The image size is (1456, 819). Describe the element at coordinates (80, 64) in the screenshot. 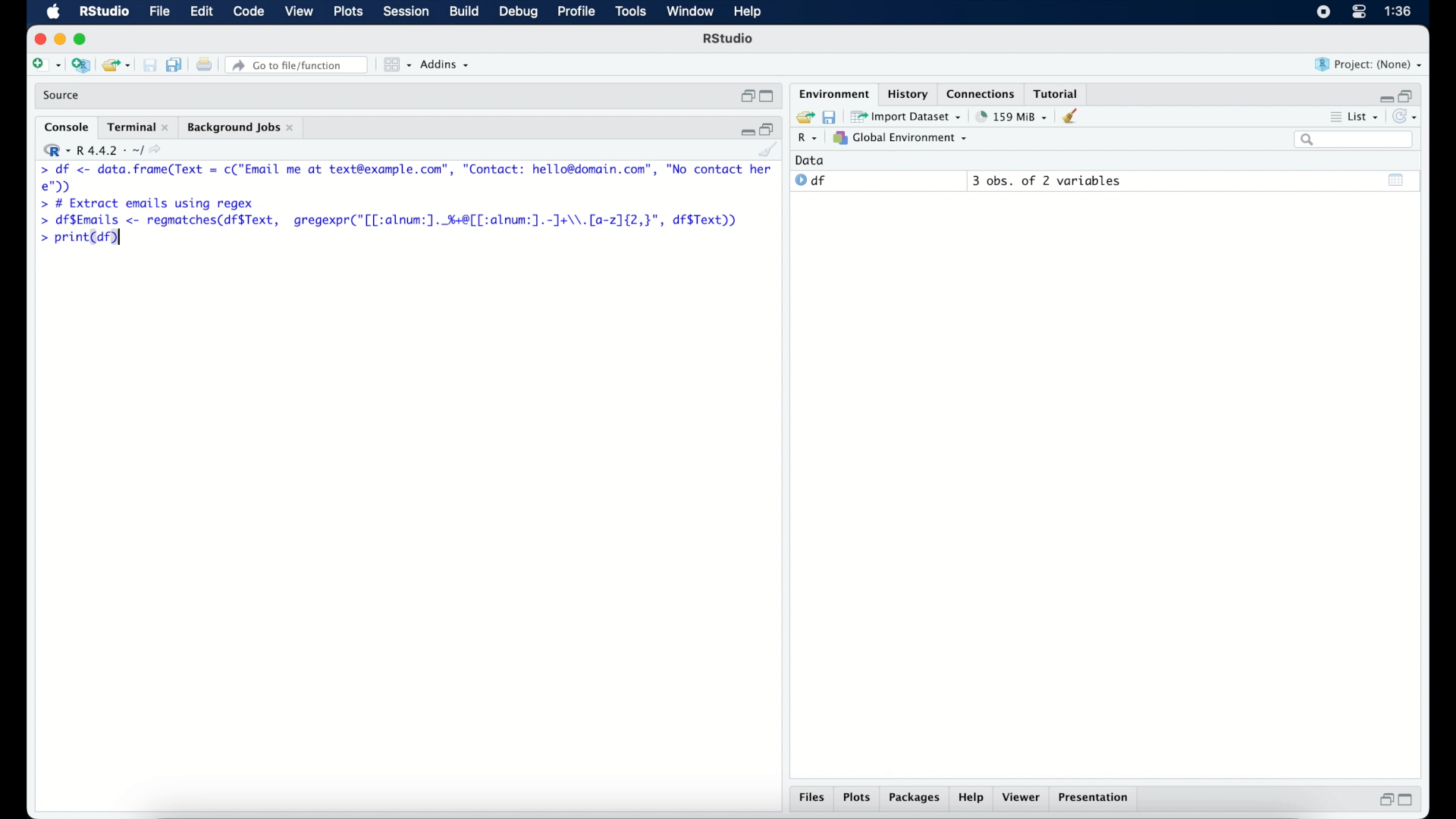

I see `create new project` at that location.